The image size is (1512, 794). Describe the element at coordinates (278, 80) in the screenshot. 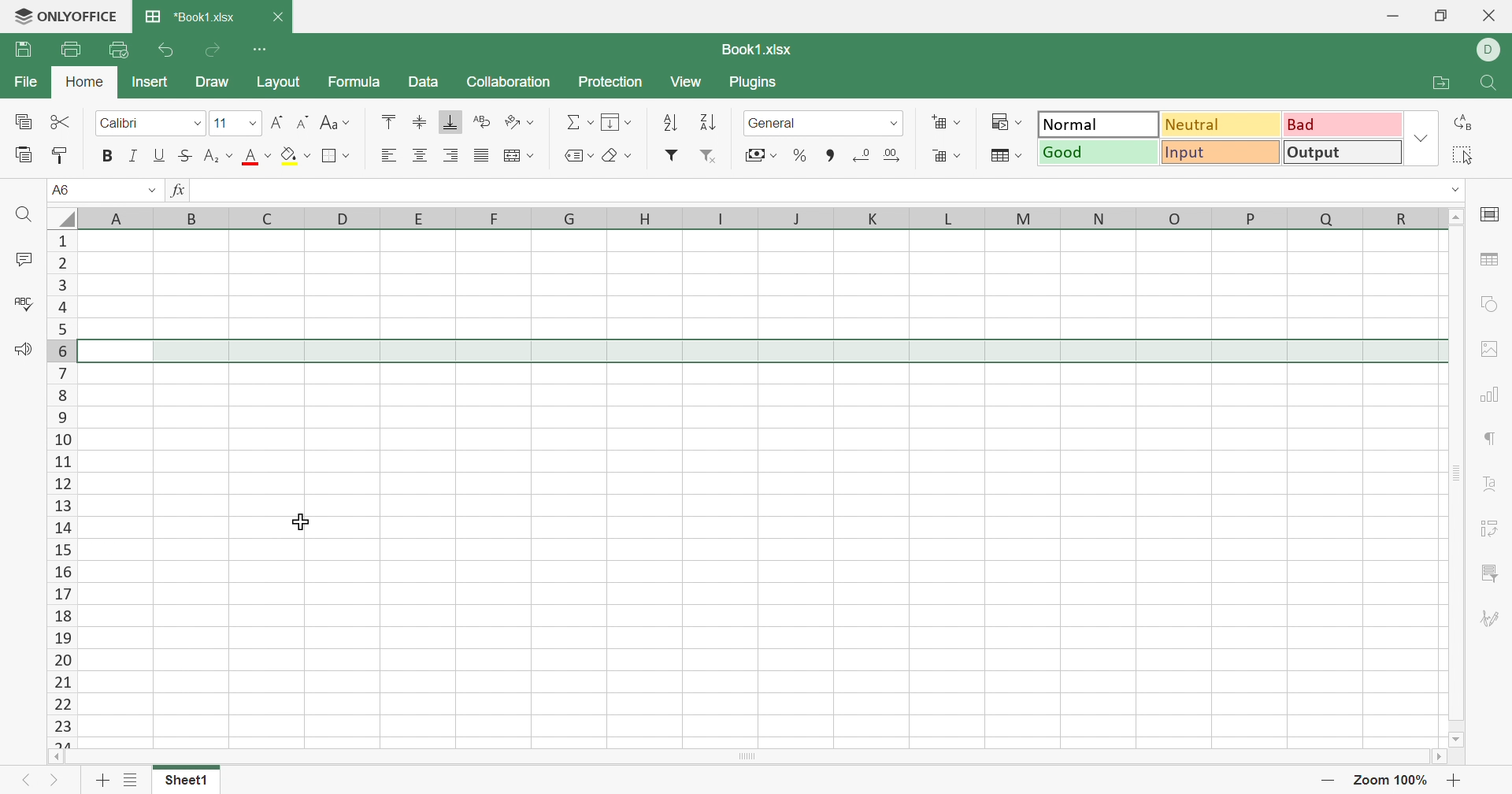

I see `Layout` at that location.